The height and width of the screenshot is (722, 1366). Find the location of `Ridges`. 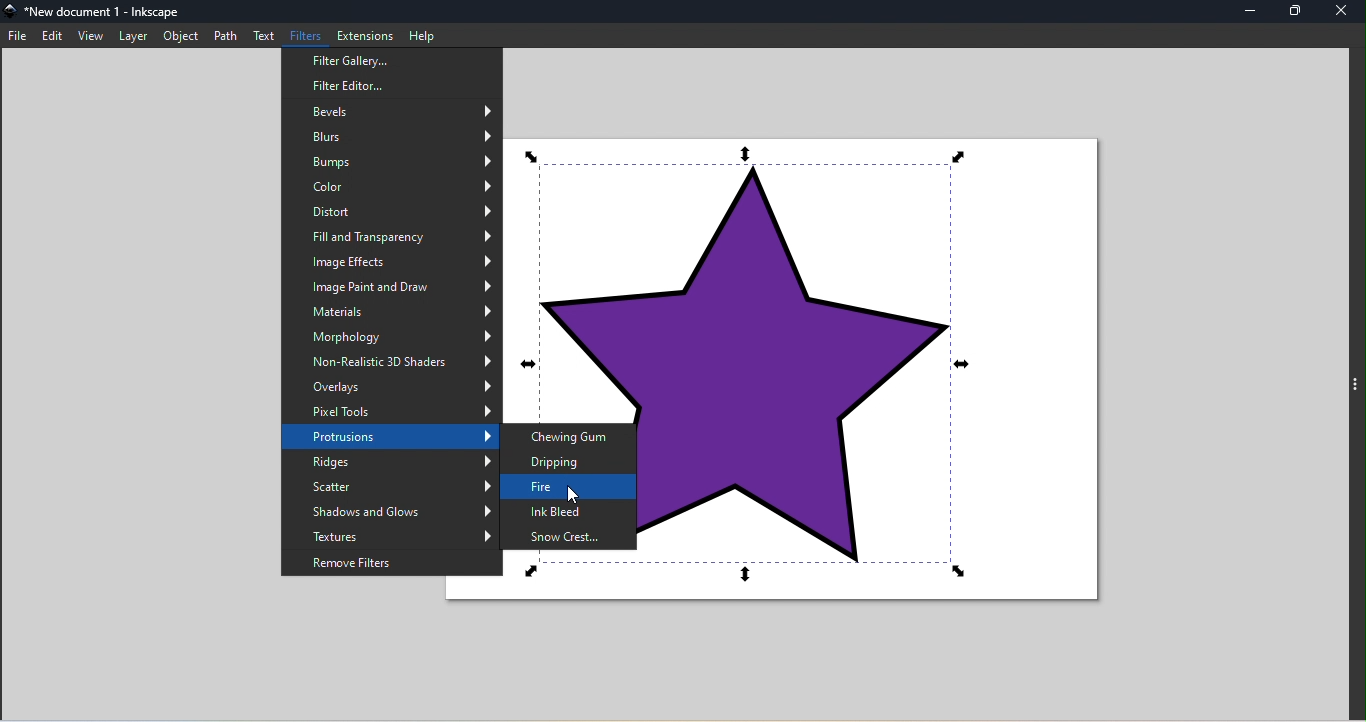

Ridges is located at coordinates (388, 462).